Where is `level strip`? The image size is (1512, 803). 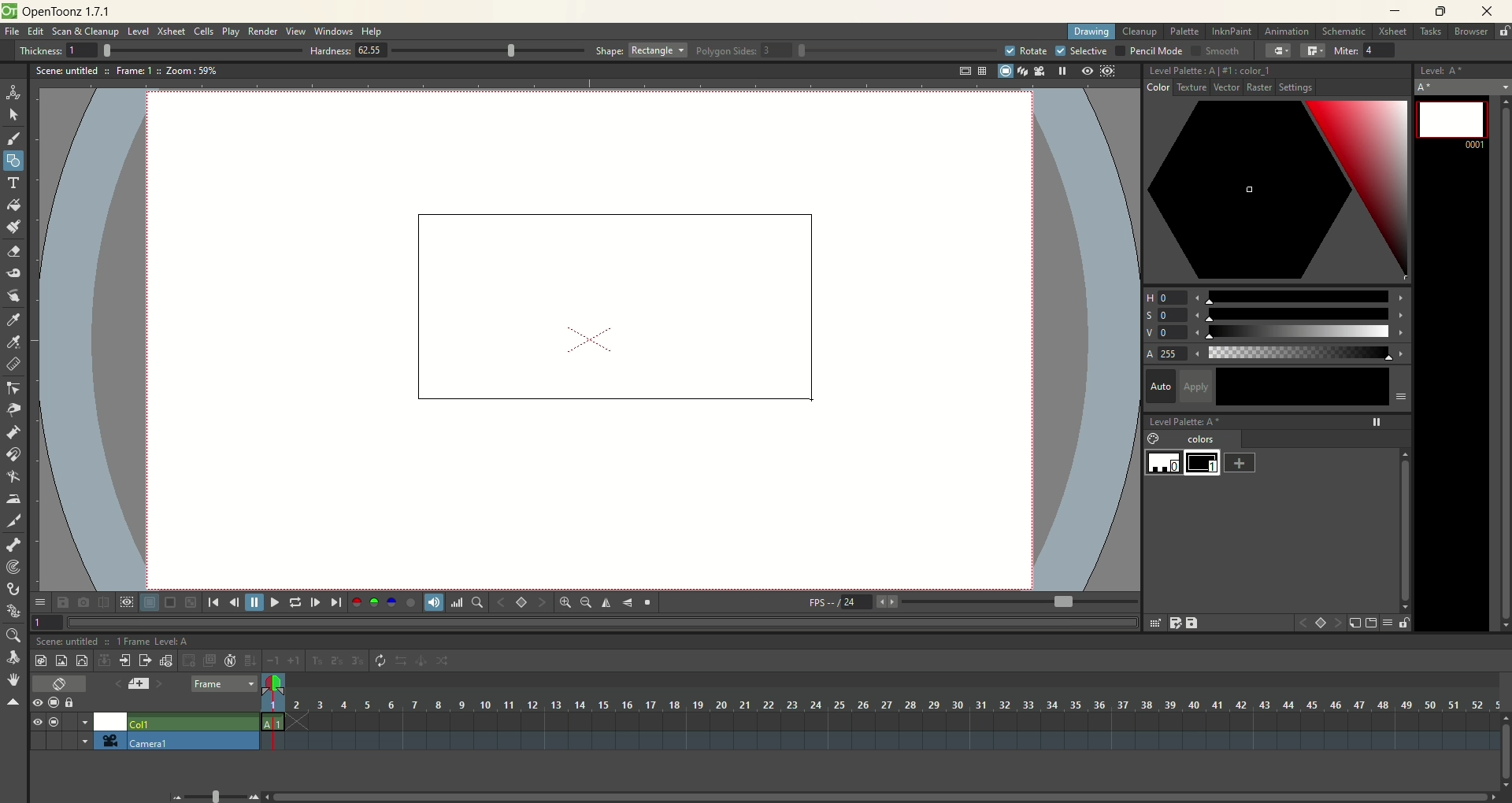 level strip is located at coordinates (1462, 68).